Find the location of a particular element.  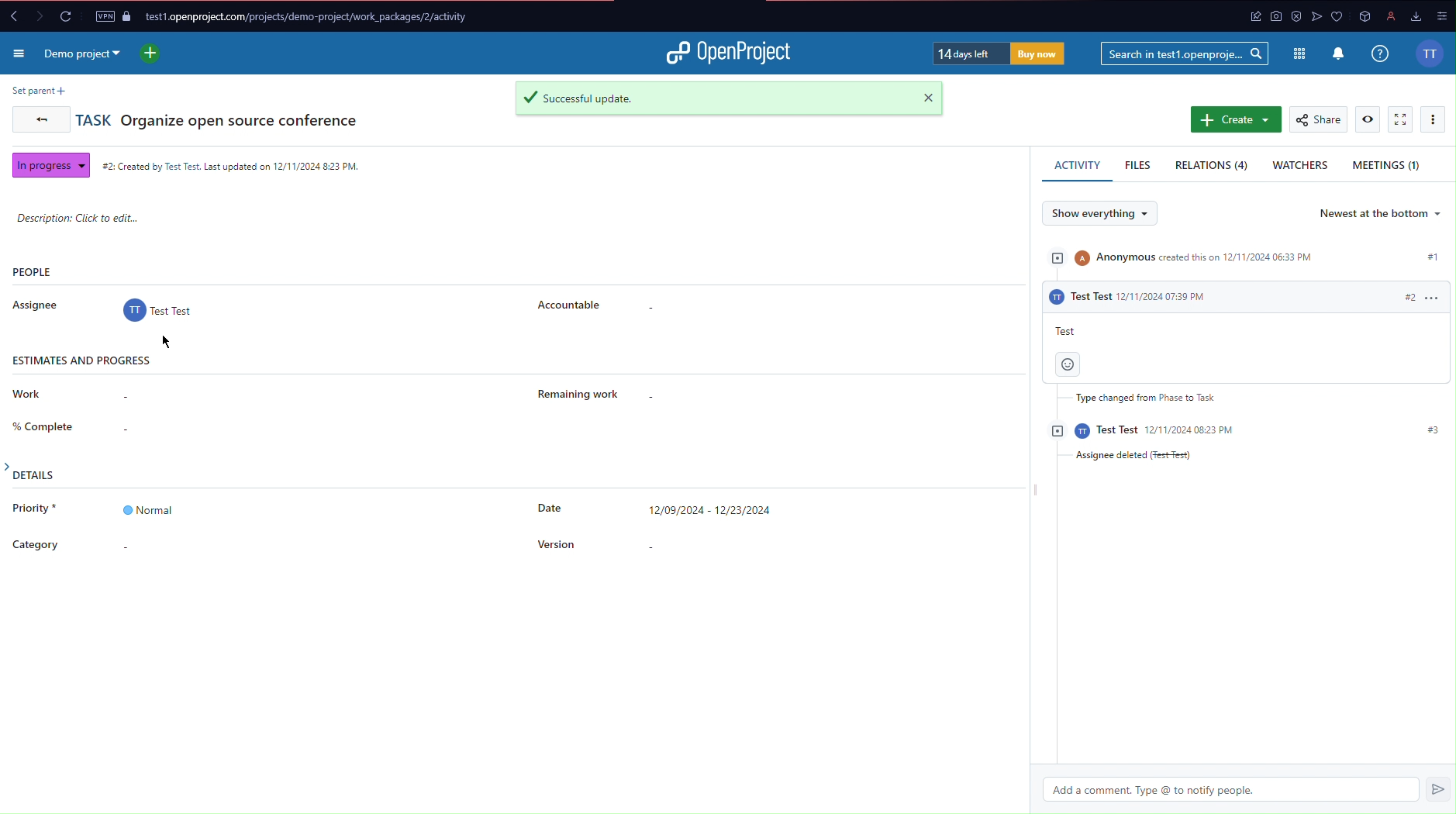

Watchers is located at coordinates (1300, 167).